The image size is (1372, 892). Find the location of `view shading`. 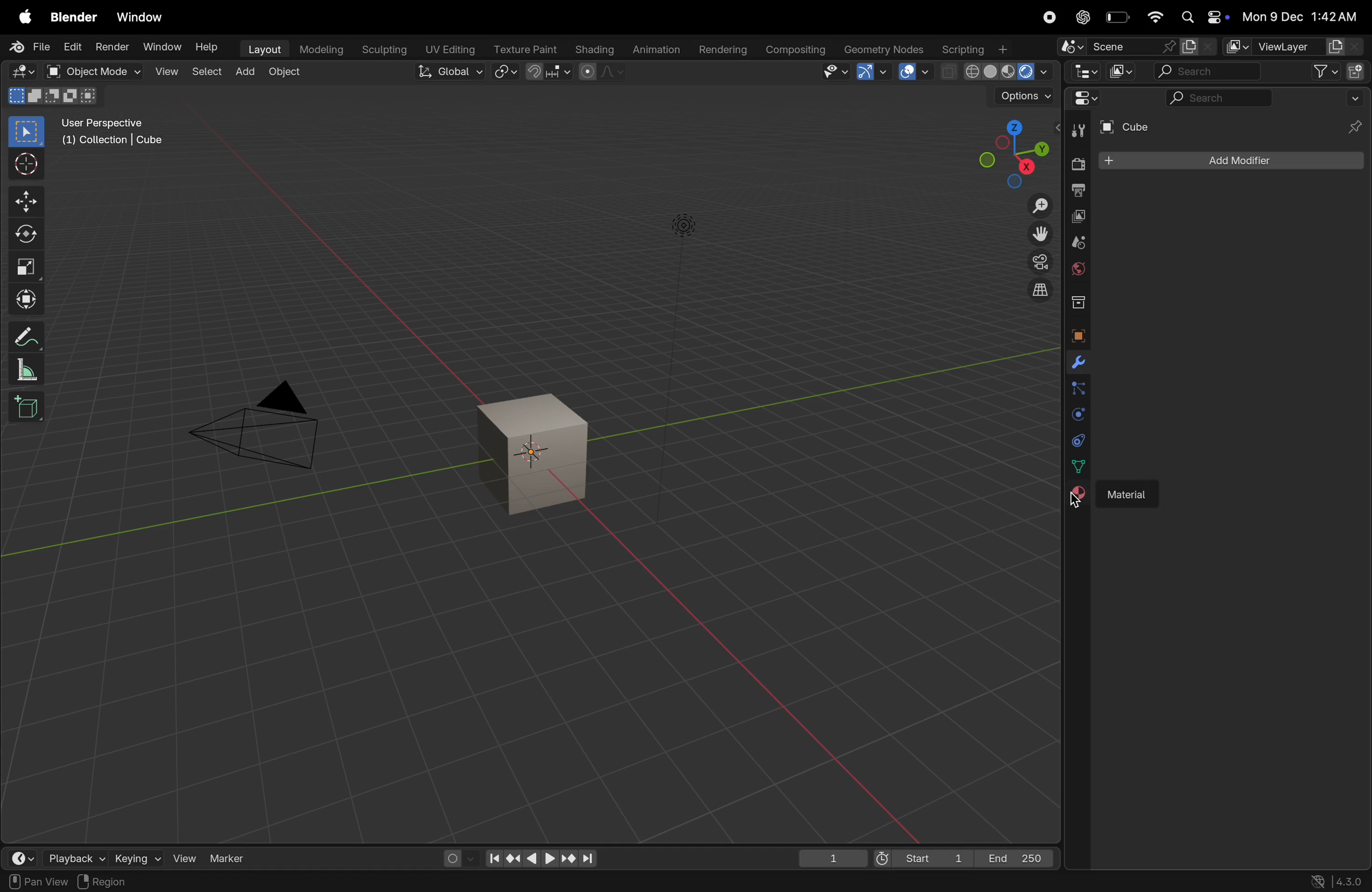

view shading is located at coordinates (997, 73).